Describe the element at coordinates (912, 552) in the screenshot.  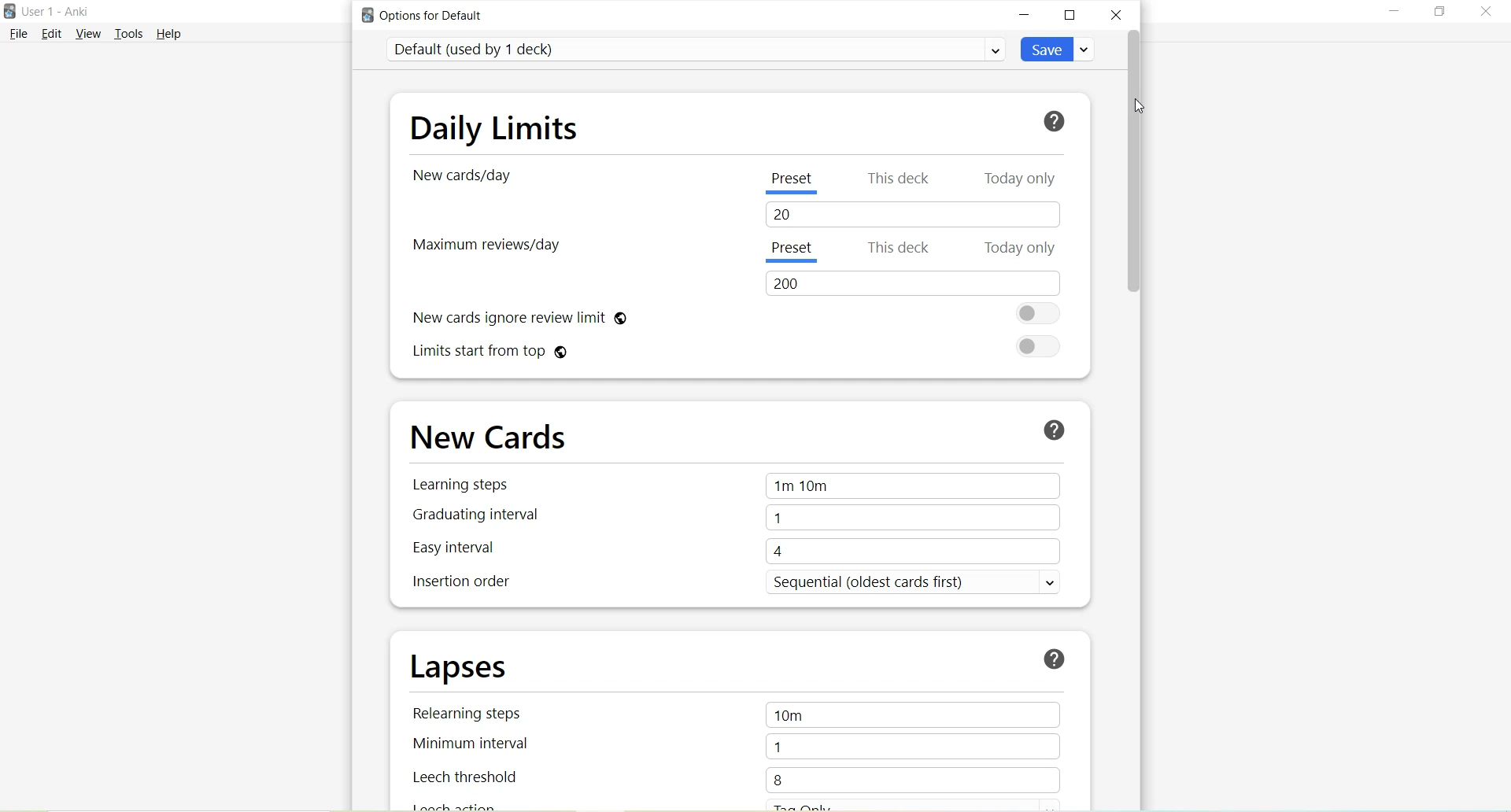
I see `4` at that location.